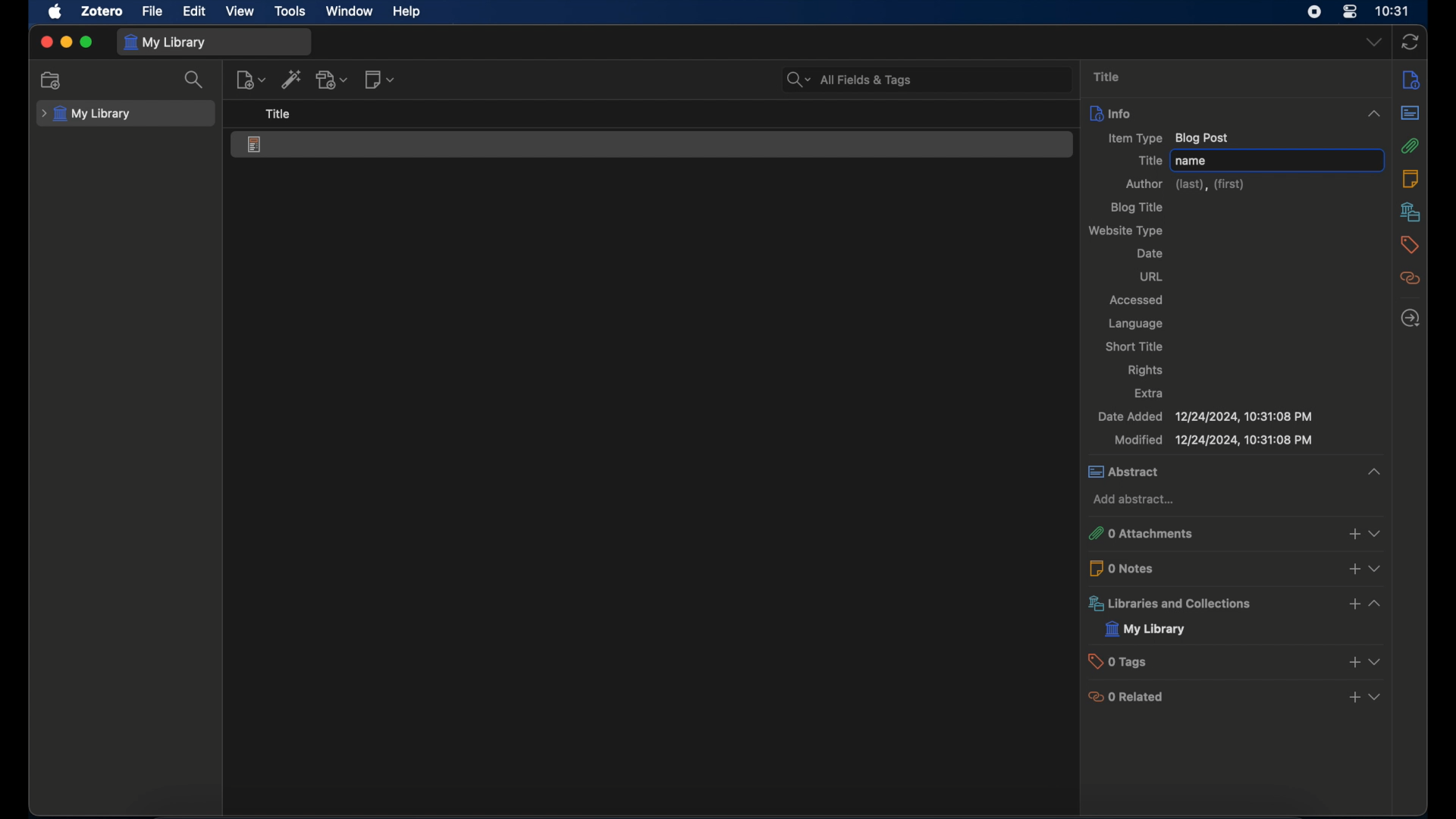 This screenshot has height=819, width=1456. What do you see at coordinates (1238, 661) in the screenshot?
I see `0 tags` at bounding box center [1238, 661].